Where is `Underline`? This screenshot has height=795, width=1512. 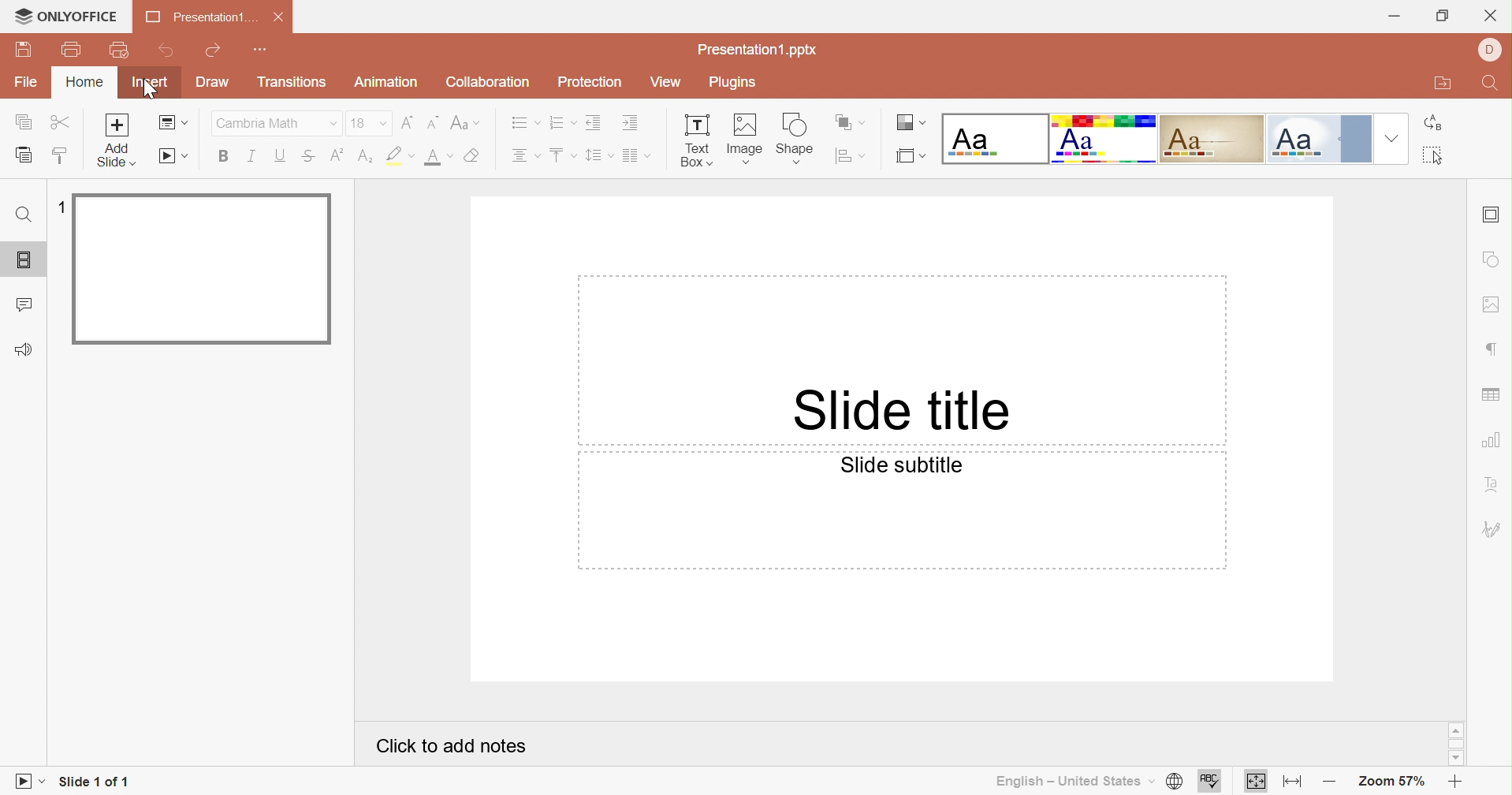
Underline is located at coordinates (280, 157).